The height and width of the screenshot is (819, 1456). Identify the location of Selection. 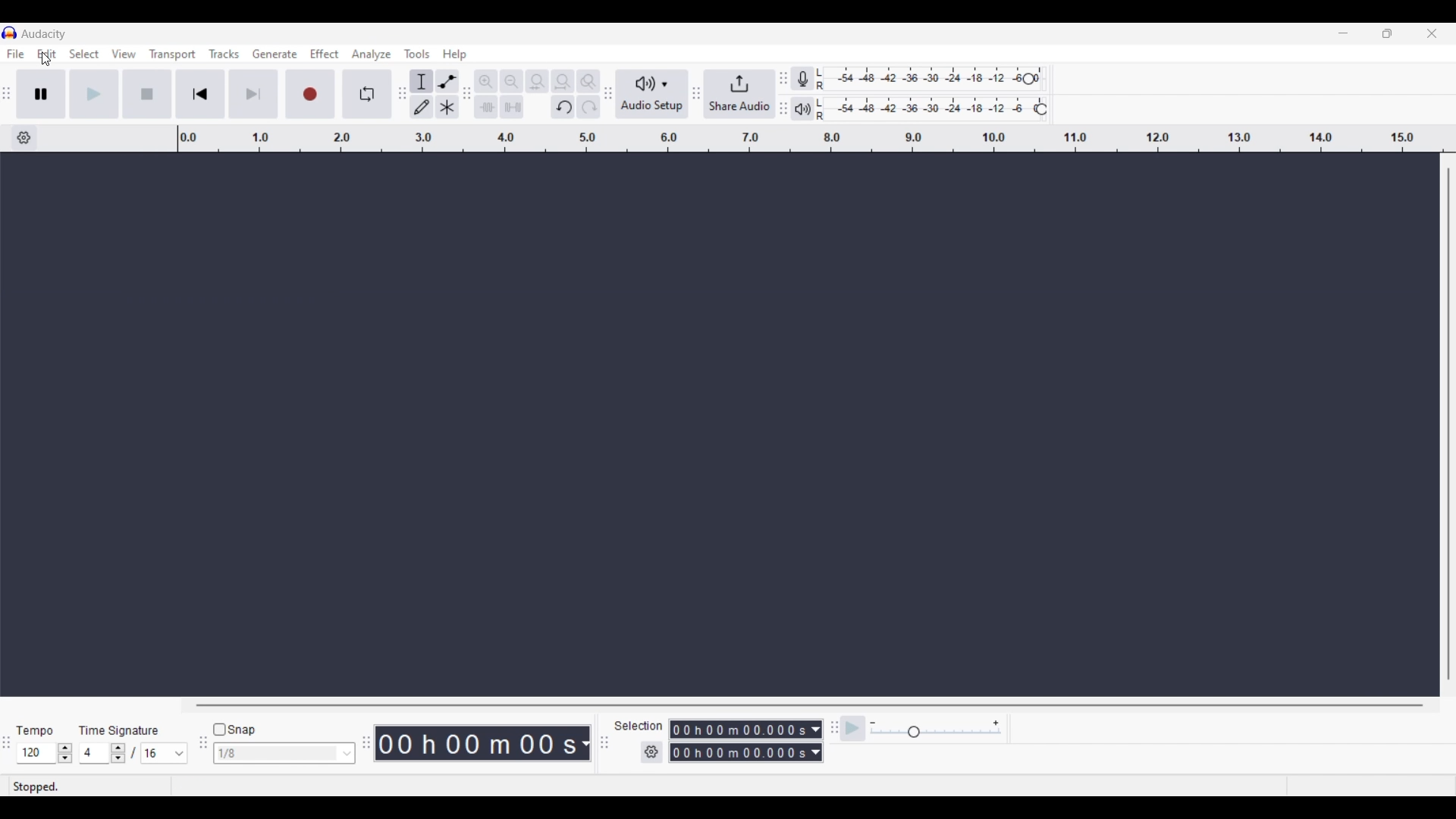
(637, 726).